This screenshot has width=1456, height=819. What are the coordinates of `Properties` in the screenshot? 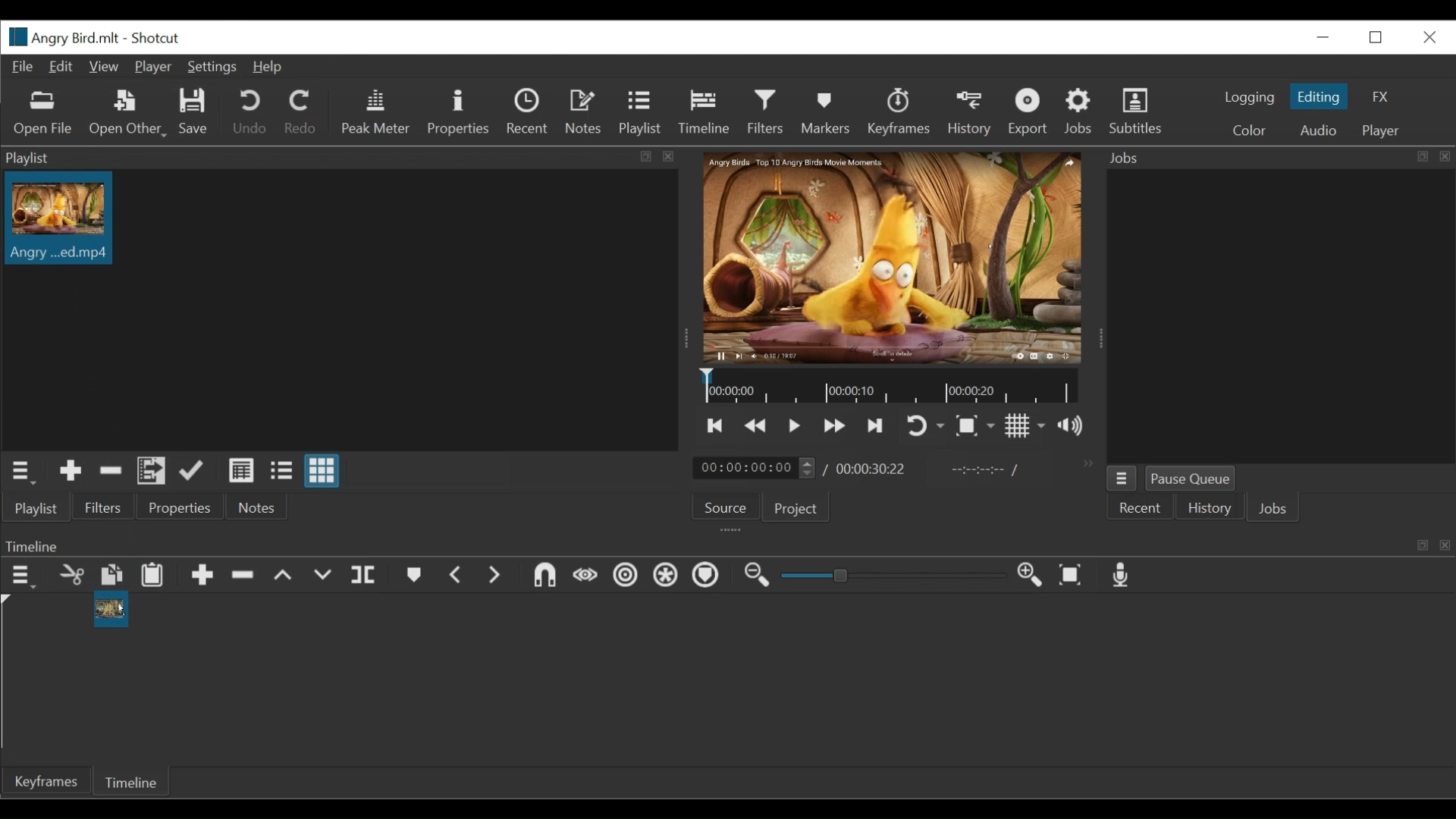 It's located at (180, 506).